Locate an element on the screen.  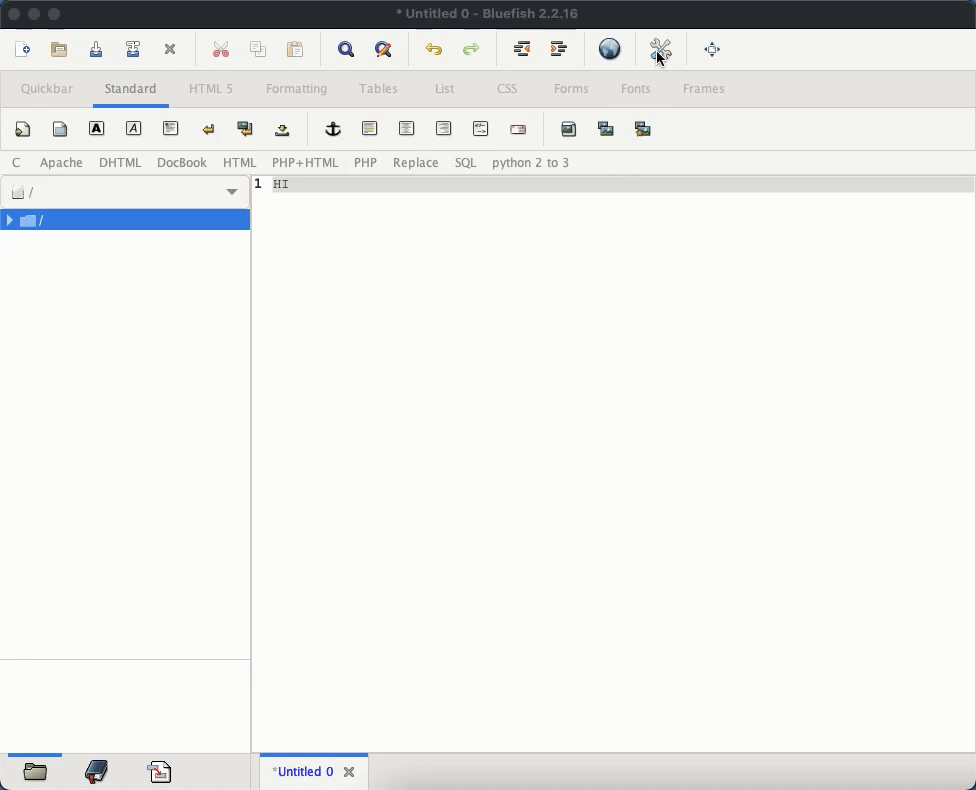
php + html is located at coordinates (306, 163).